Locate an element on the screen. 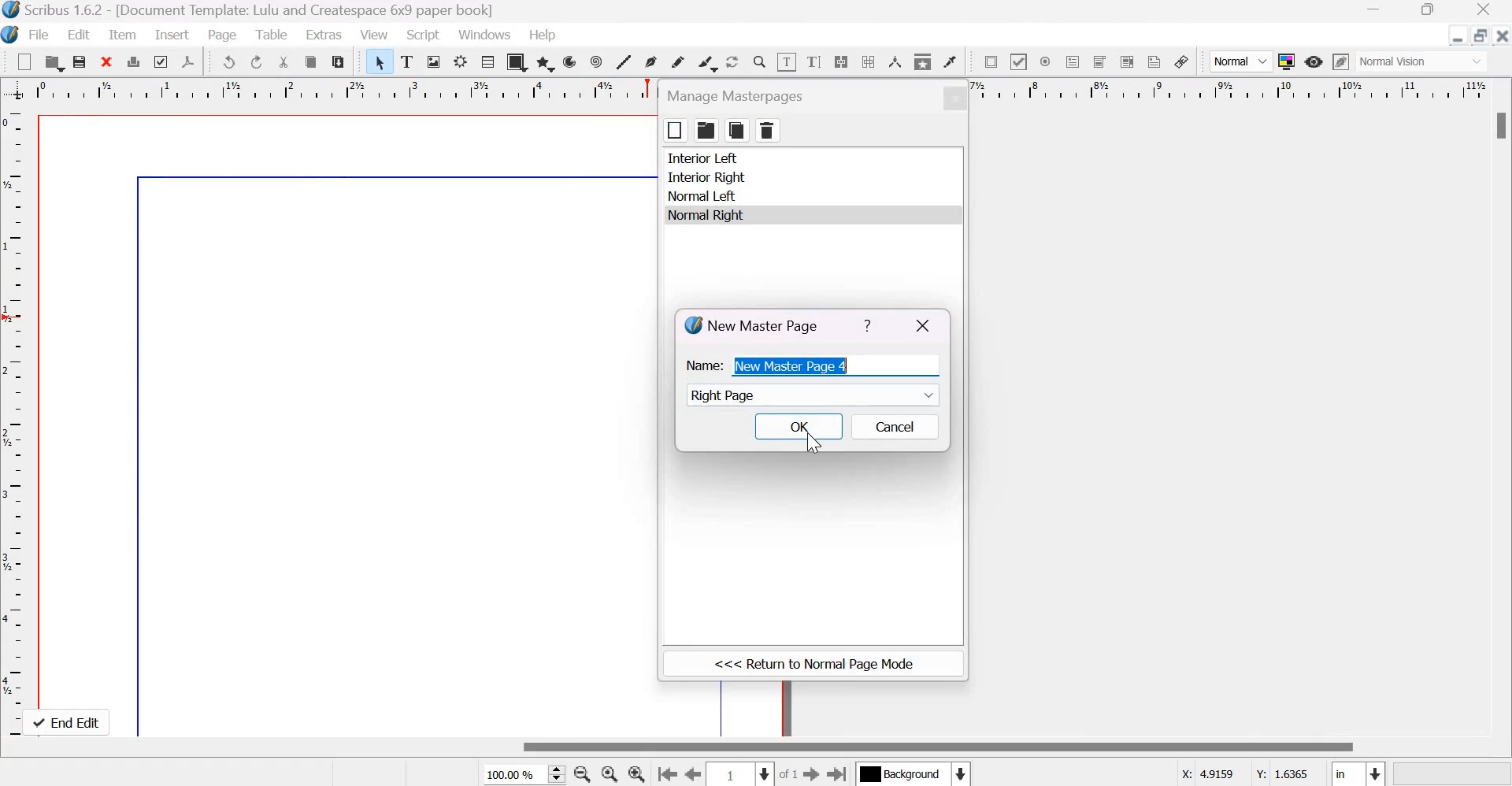 The width and height of the screenshot is (1512, 786). Select item is located at coordinates (380, 62).